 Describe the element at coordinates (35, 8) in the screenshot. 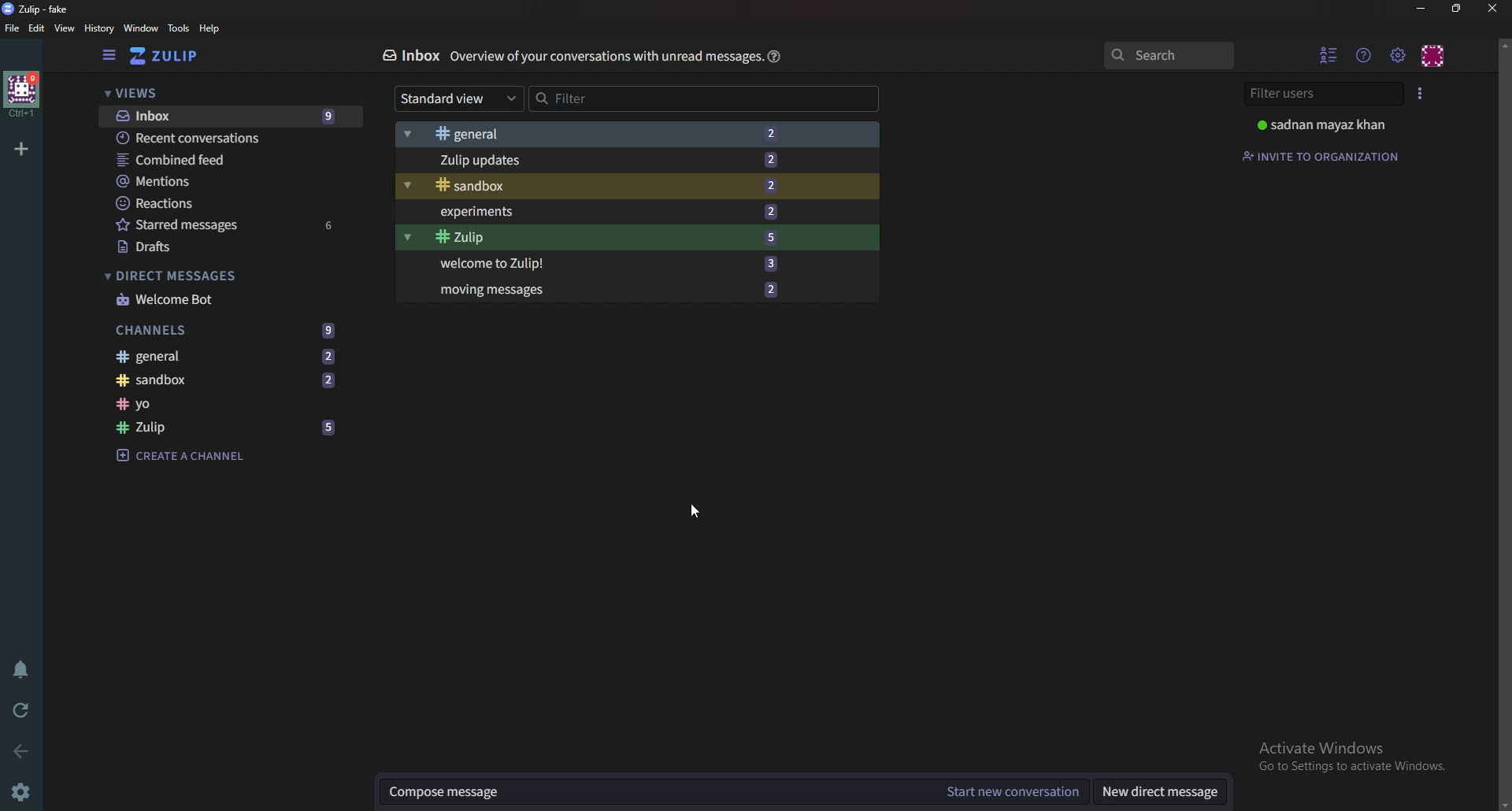

I see `Zulip` at that location.